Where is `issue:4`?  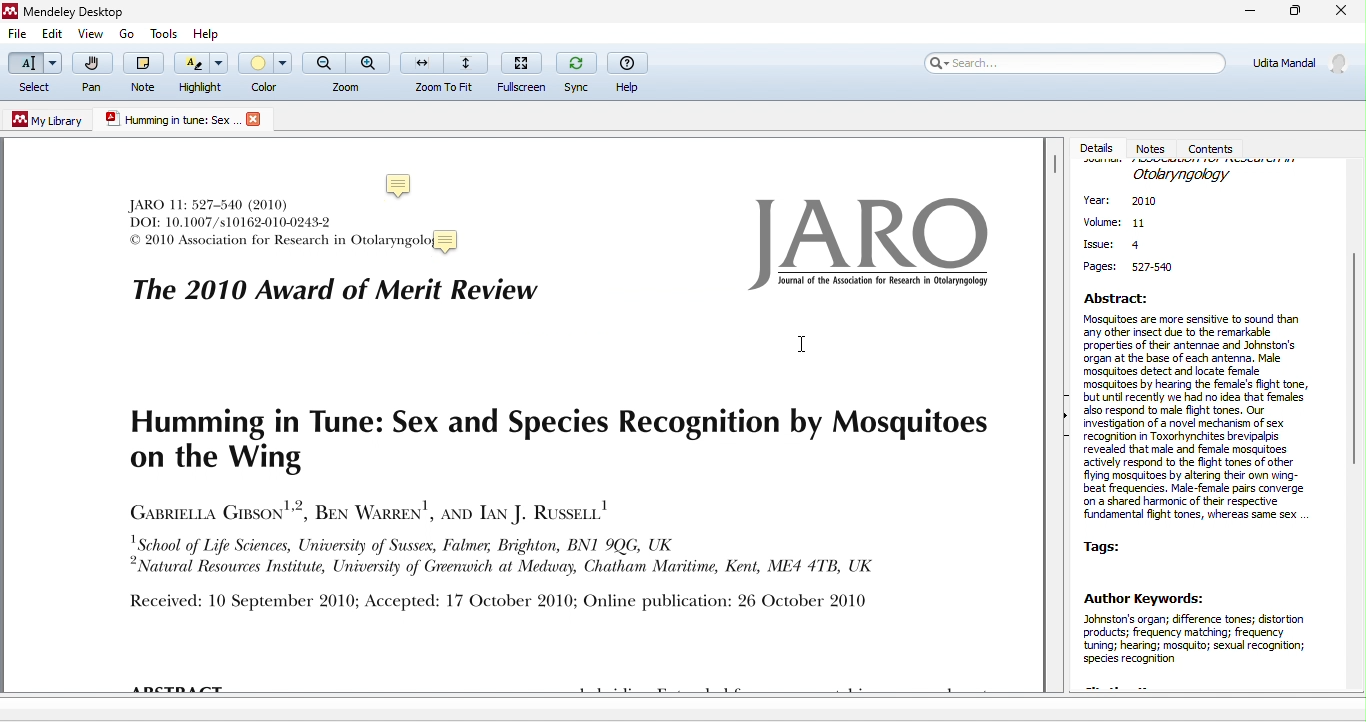 issue:4 is located at coordinates (1113, 243).